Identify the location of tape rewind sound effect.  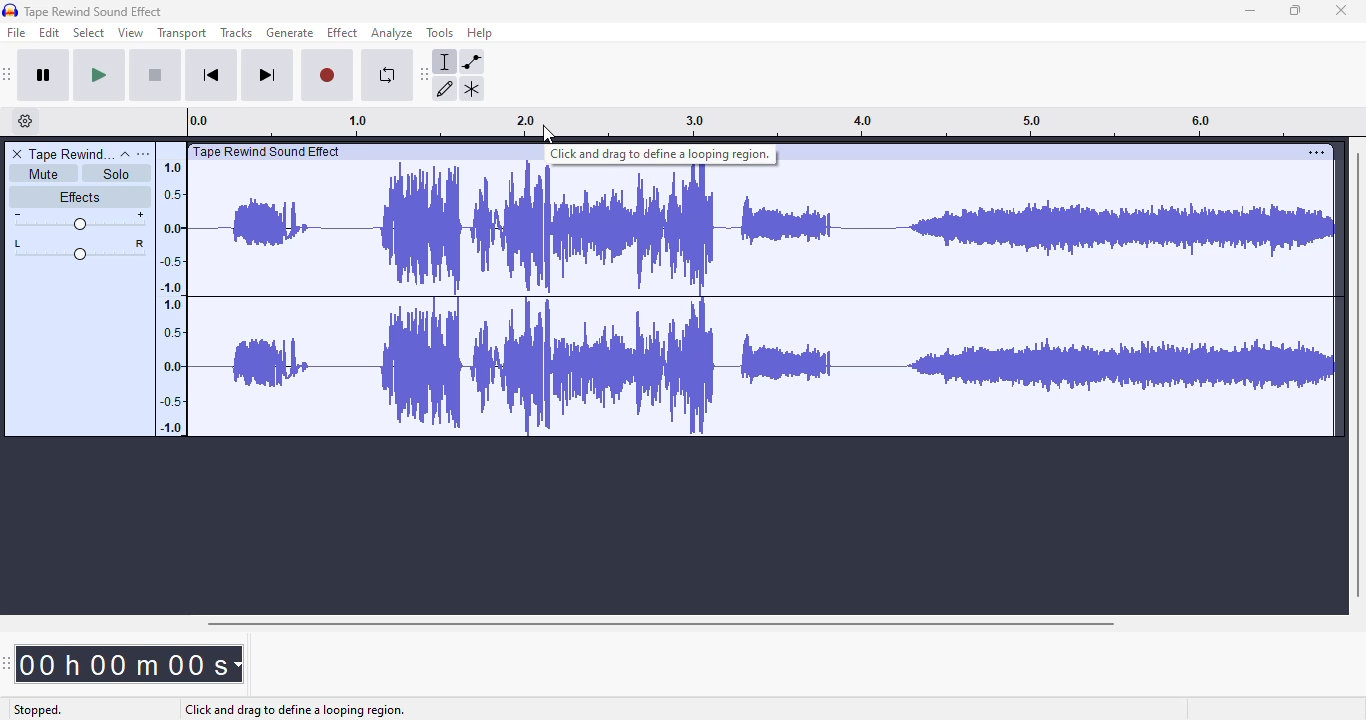
(70, 153).